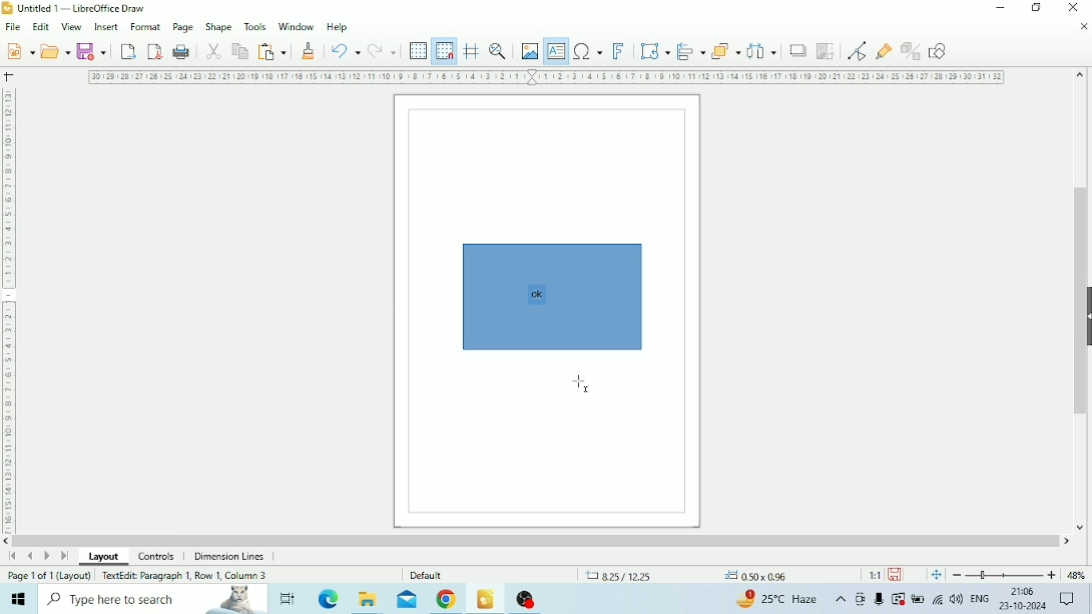 This screenshot has width=1092, height=614. Describe the element at coordinates (381, 51) in the screenshot. I see `Redo` at that location.